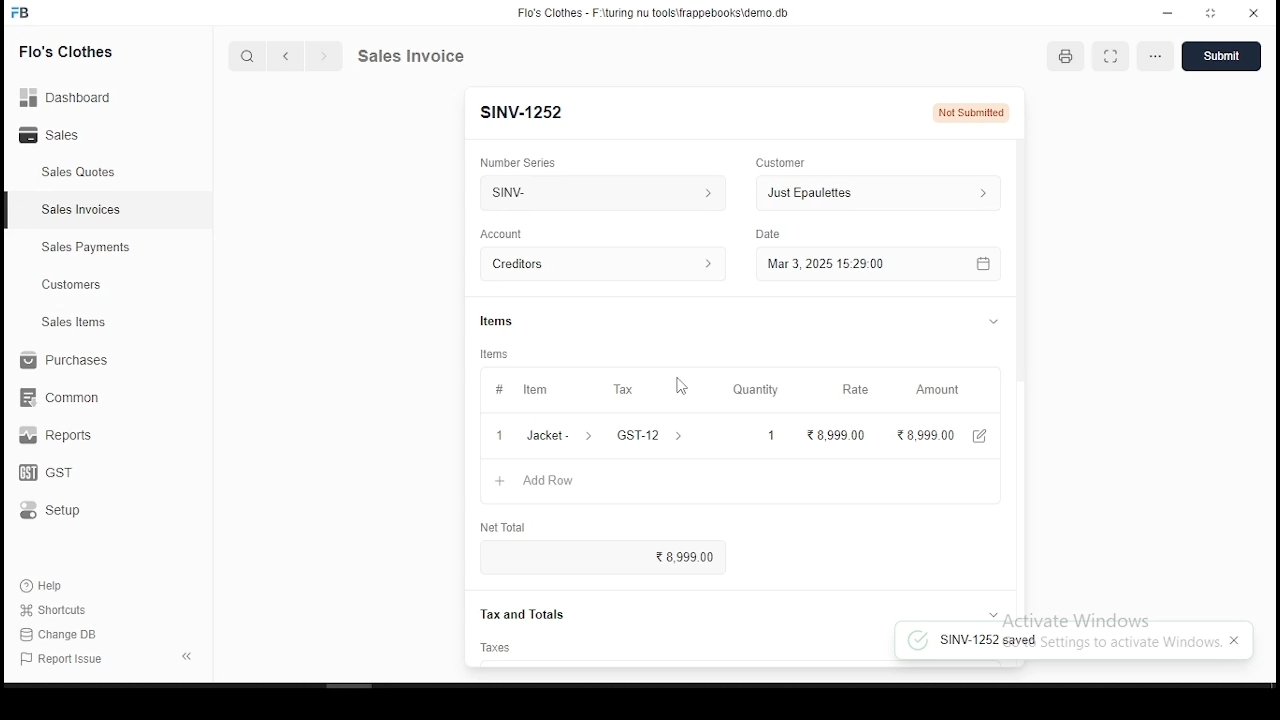 The image size is (1280, 720). I want to click on help, so click(48, 585).